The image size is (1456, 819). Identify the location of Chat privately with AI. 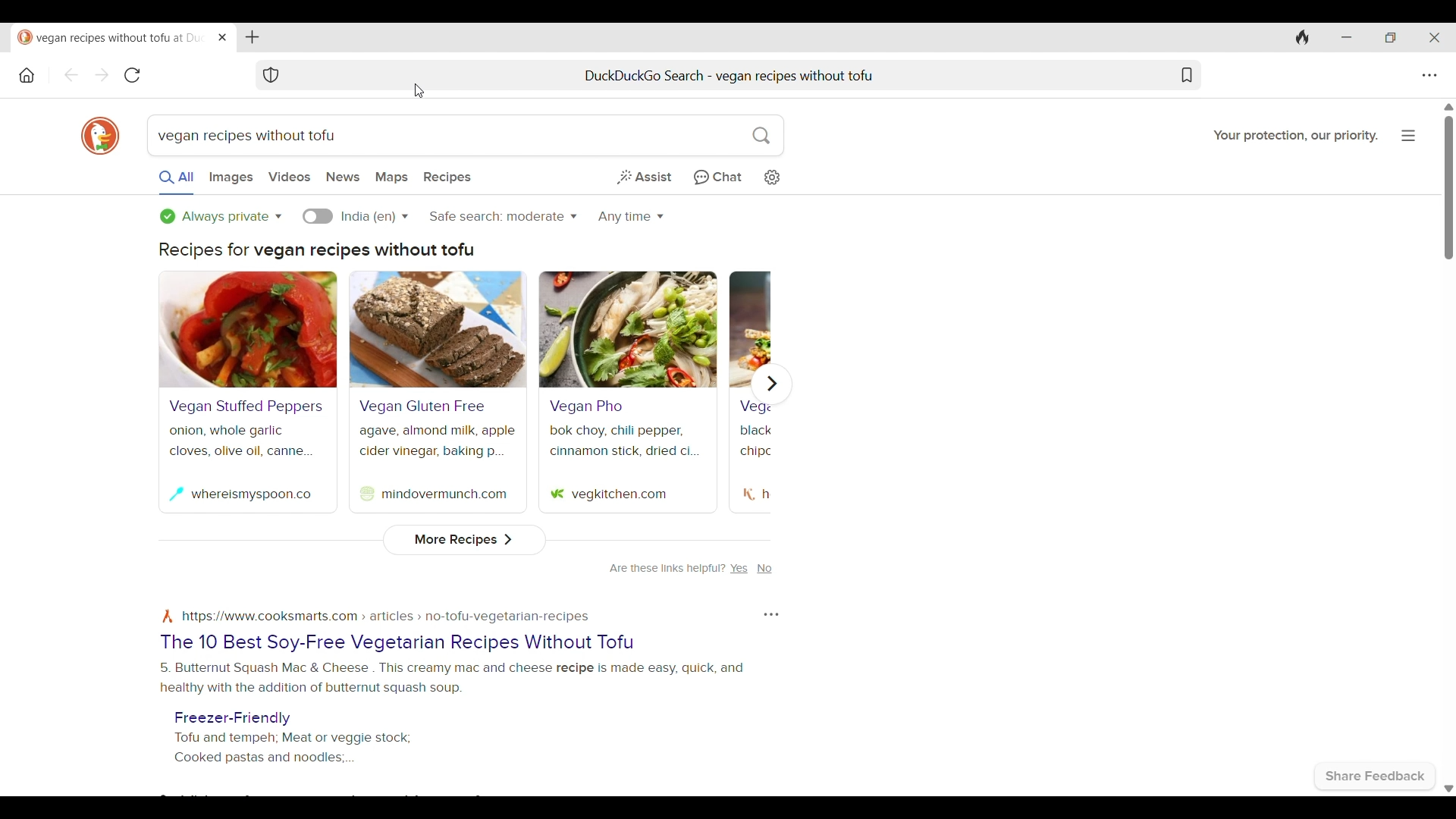
(717, 178).